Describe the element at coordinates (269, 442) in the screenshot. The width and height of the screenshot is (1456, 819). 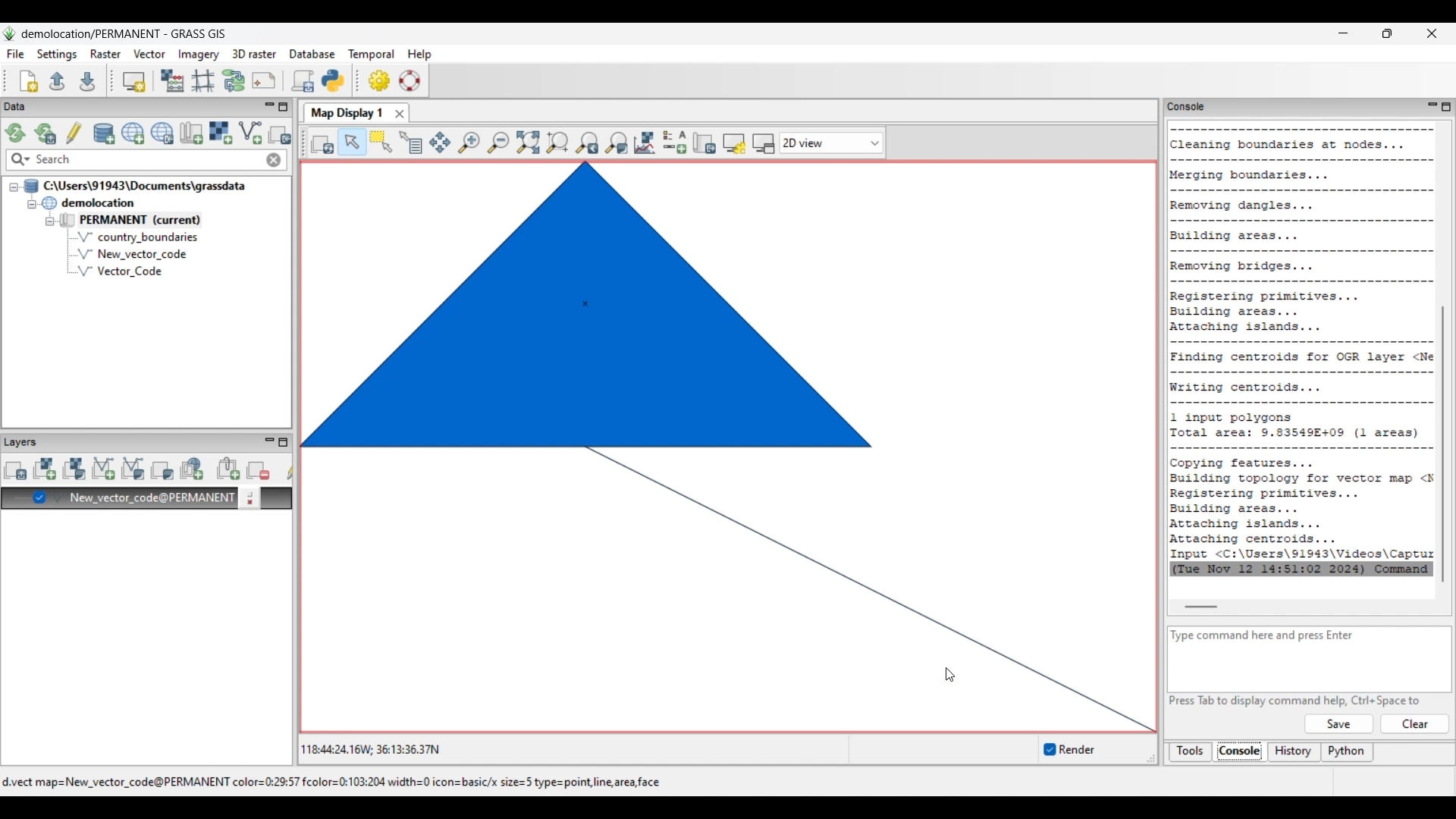
I see `Minimize Layers panel` at that location.